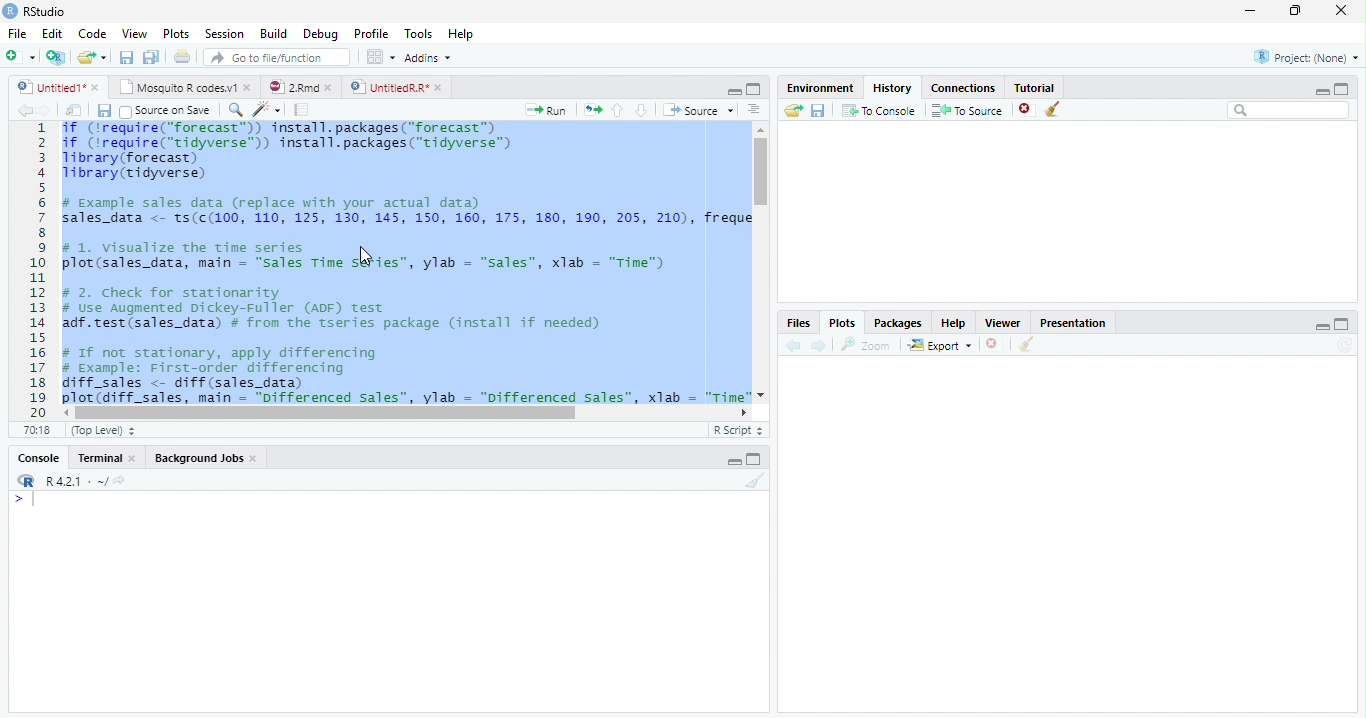 The height and width of the screenshot is (718, 1366). Describe the element at coordinates (793, 345) in the screenshot. I see `Previous` at that location.